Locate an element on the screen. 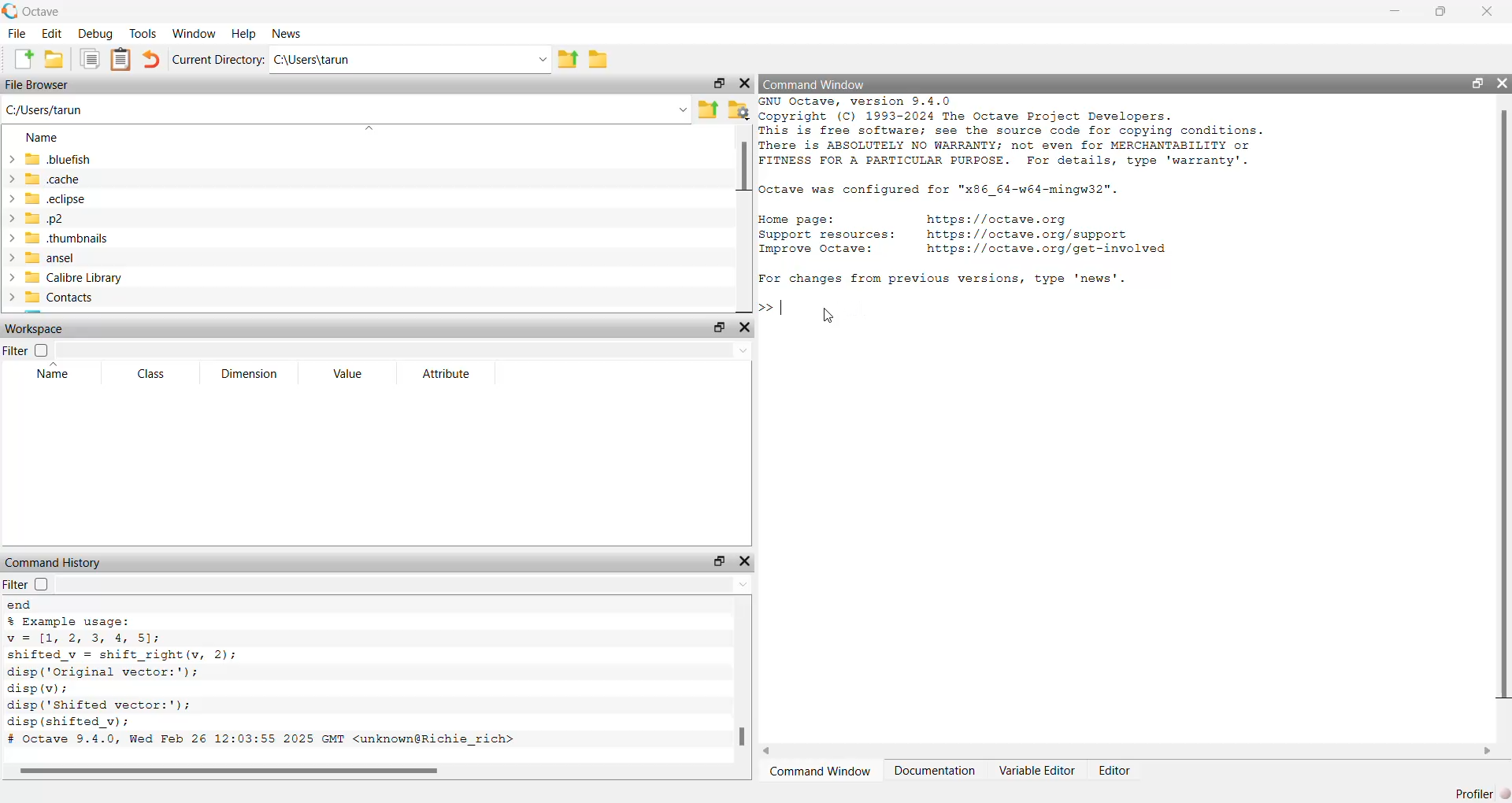 This screenshot has width=1512, height=803. .thumbnails is located at coordinates (118, 239).